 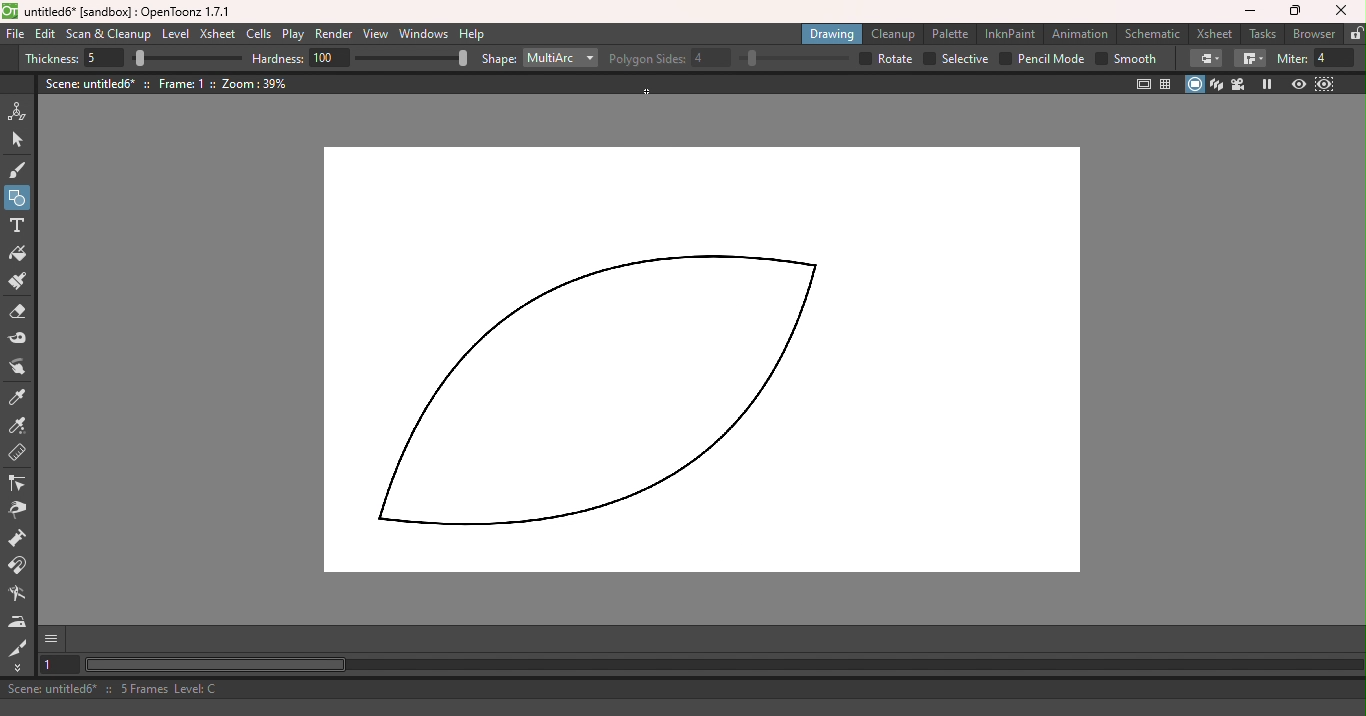 I want to click on Set the current frame, so click(x=59, y=666).